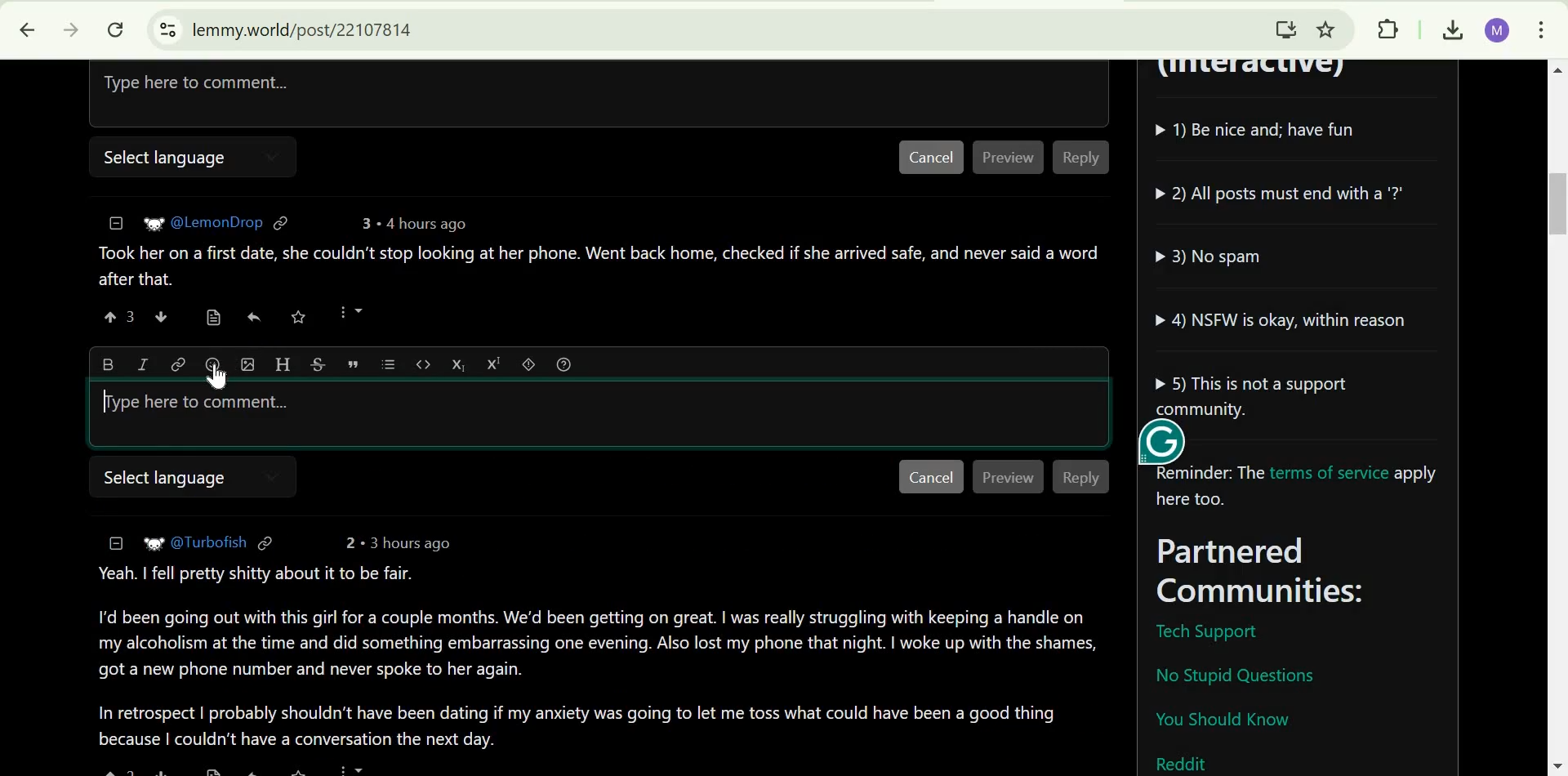 Image resolution: width=1568 pixels, height=776 pixels. What do you see at coordinates (1282, 27) in the screenshot?
I see `Install Lemmy.World` at bounding box center [1282, 27].